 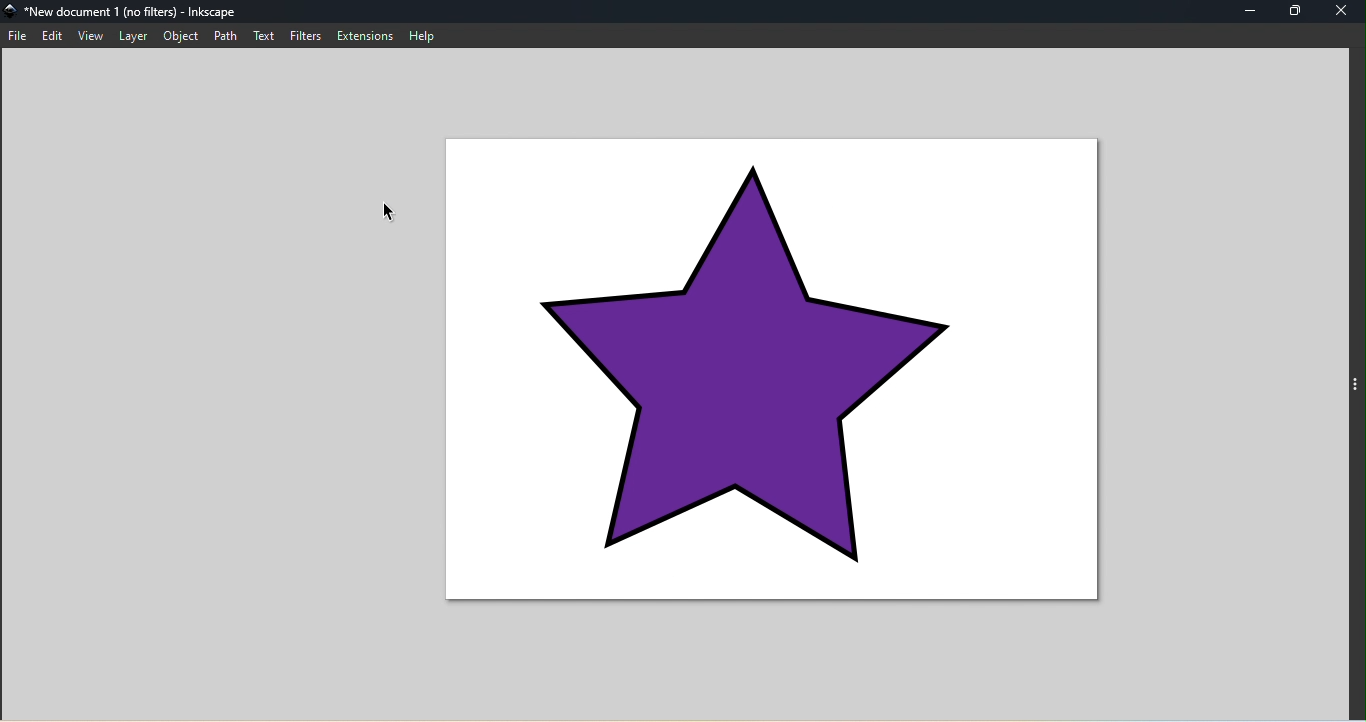 What do you see at coordinates (261, 34) in the screenshot?
I see `Text` at bounding box center [261, 34].